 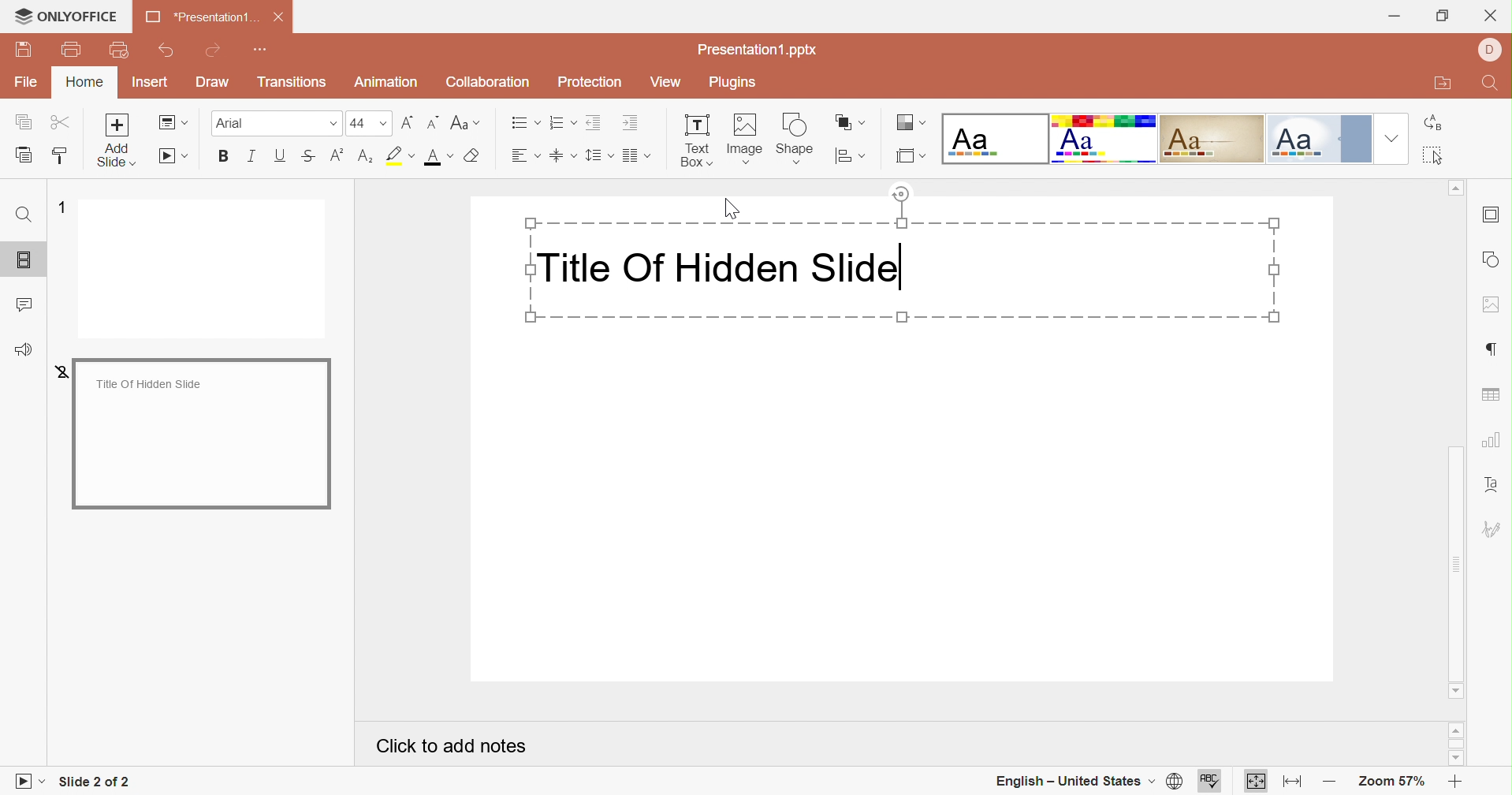 What do you see at coordinates (201, 434) in the screenshot?
I see `Hidden slide preview` at bounding box center [201, 434].